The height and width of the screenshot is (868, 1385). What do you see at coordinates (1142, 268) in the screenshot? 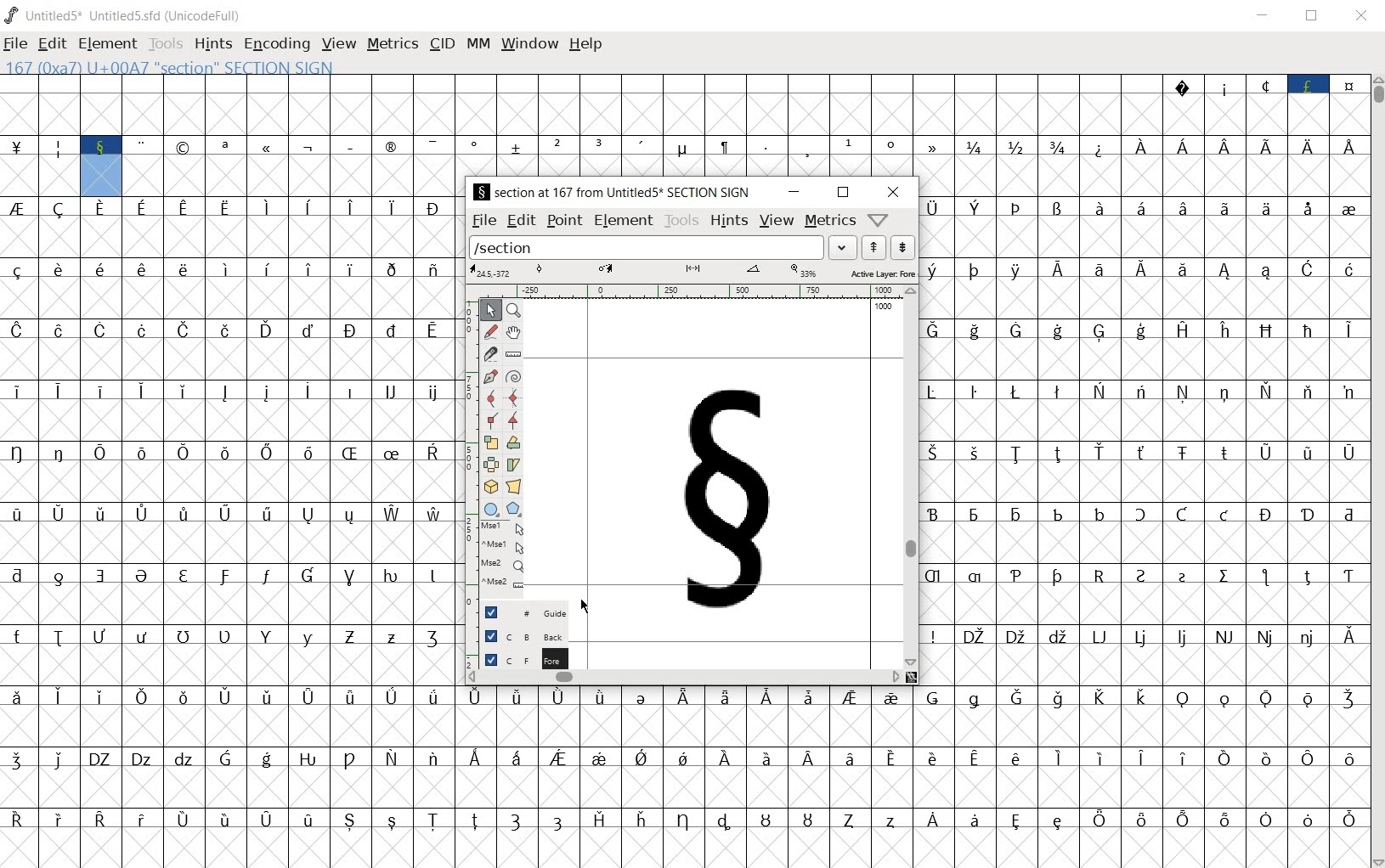
I see `special letters` at bounding box center [1142, 268].